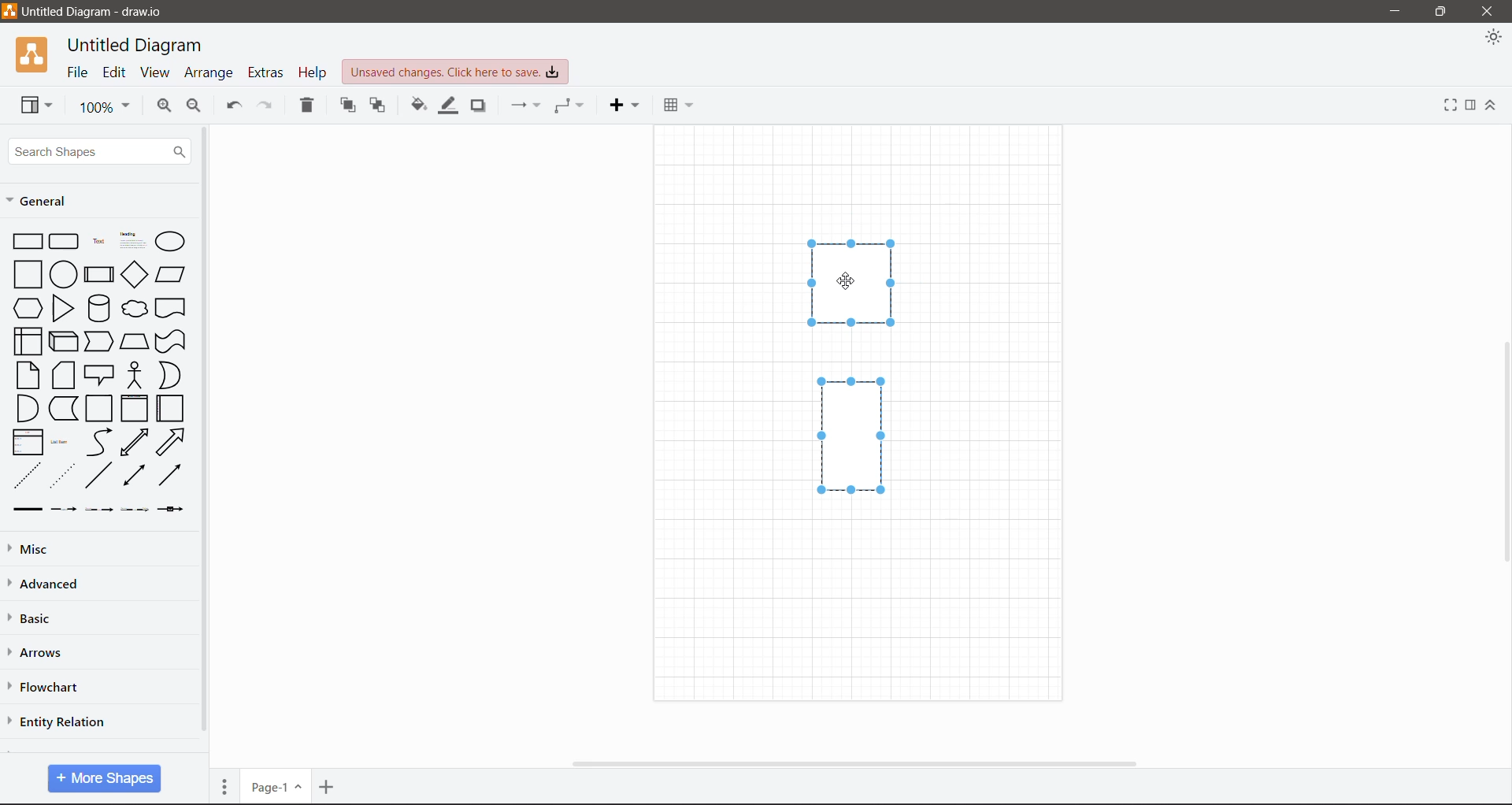 This screenshot has height=805, width=1512. I want to click on Line Color, so click(447, 107).